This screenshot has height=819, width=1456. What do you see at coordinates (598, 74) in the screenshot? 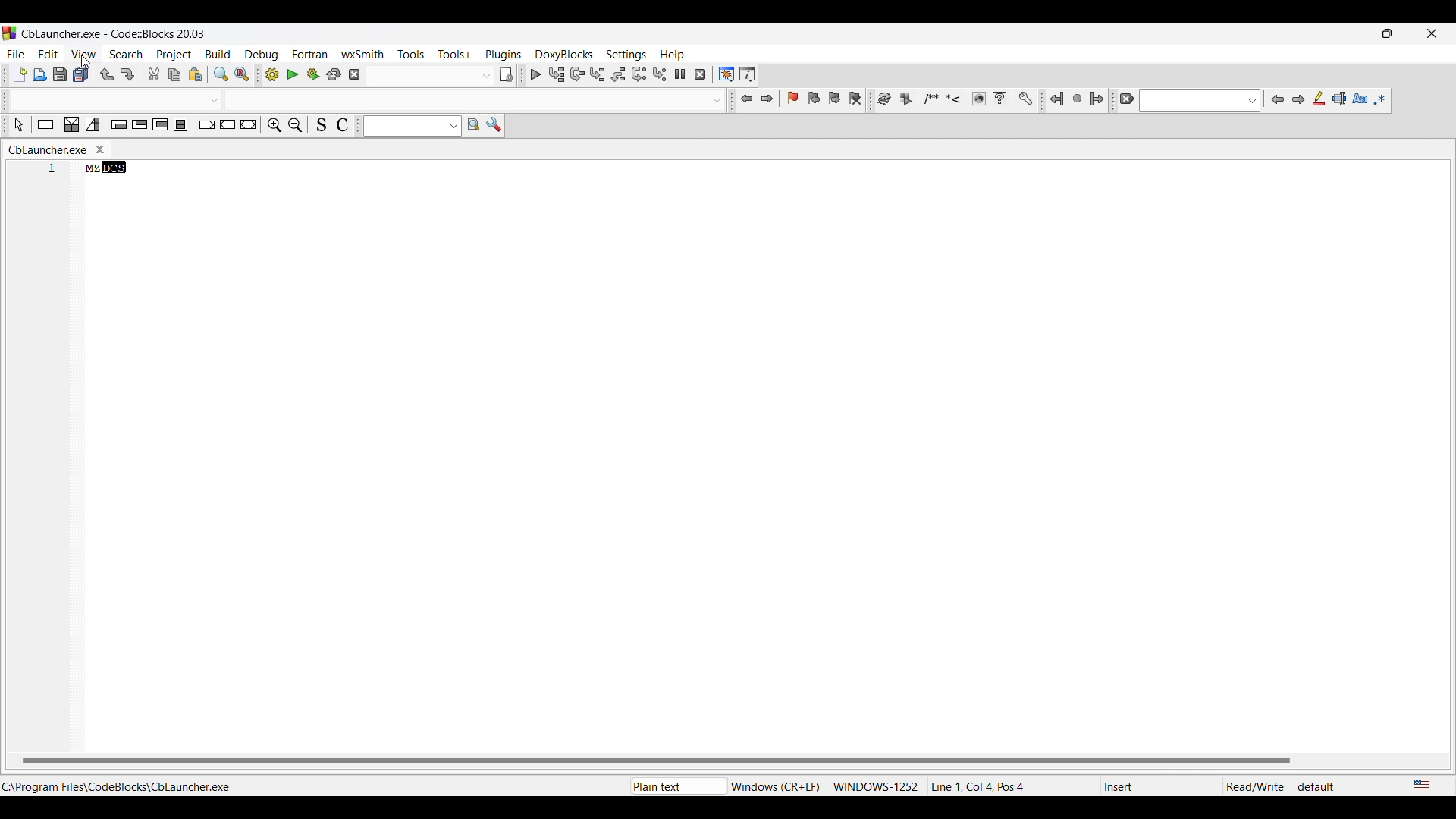
I see `Step info` at bounding box center [598, 74].